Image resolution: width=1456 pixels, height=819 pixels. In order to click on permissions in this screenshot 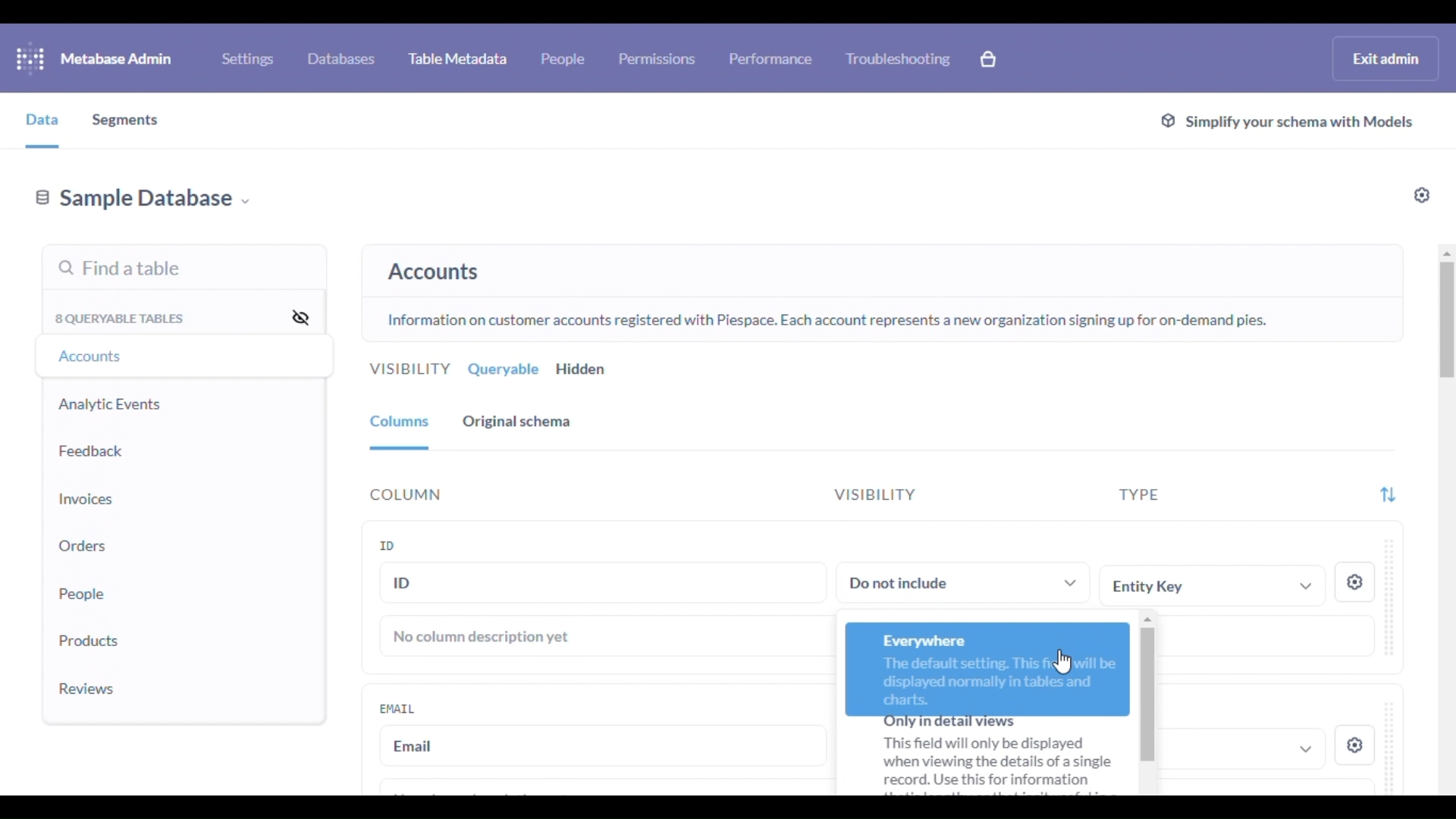, I will do `click(658, 58)`.